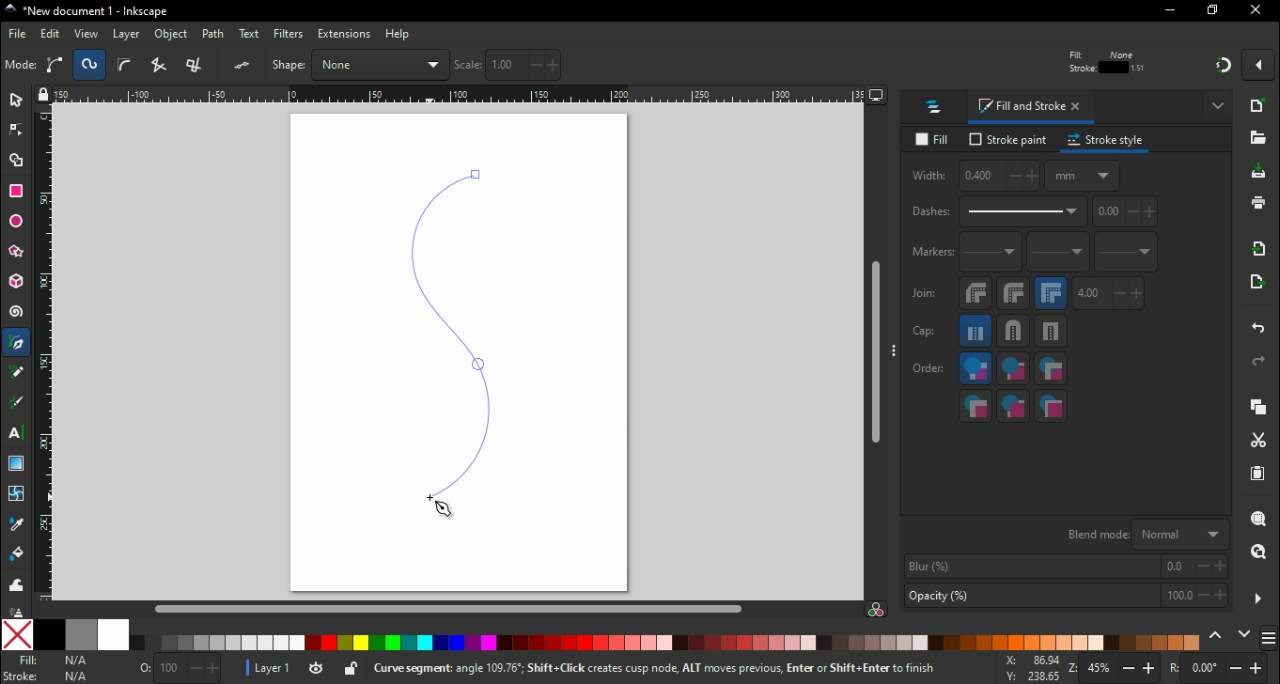 This screenshot has height=684, width=1280. Describe the element at coordinates (937, 109) in the screenshot. I see `layers and objects` at that location.